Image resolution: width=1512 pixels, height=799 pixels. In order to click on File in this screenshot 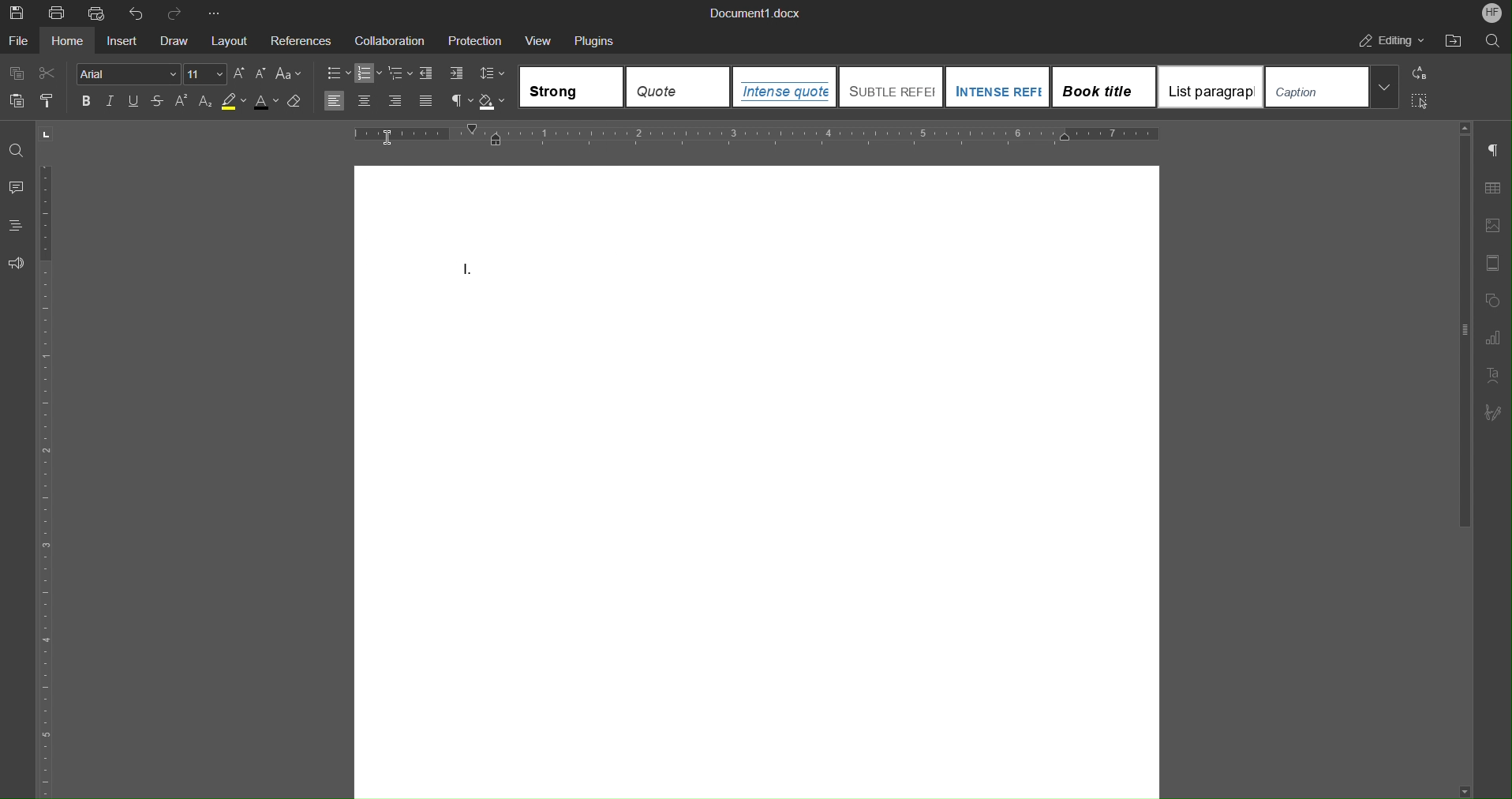, I will do `click(19, 42)`.